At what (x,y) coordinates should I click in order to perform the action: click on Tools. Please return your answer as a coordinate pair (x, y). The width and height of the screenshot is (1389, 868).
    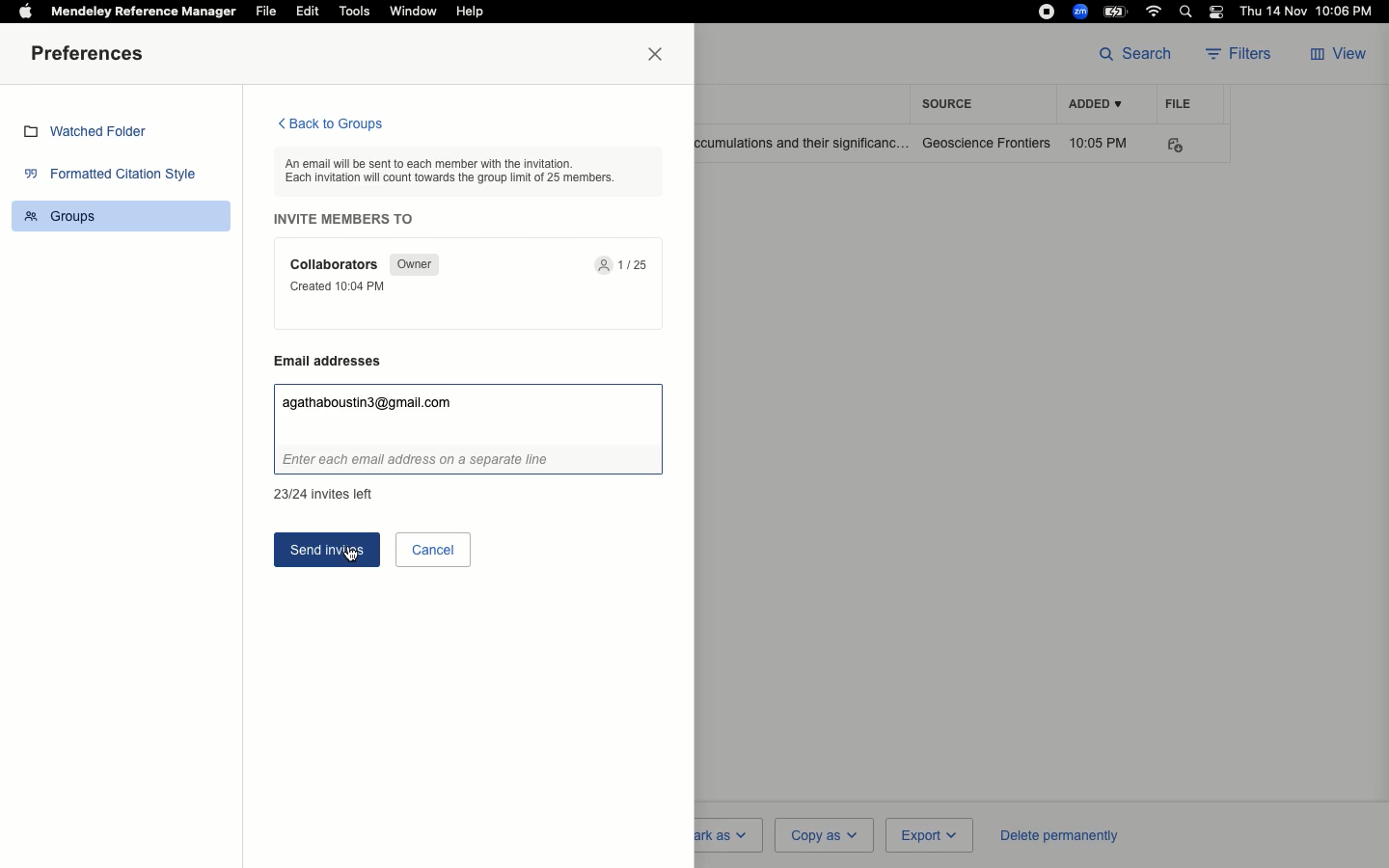
    Looking at the image, I should click on (355, 12).